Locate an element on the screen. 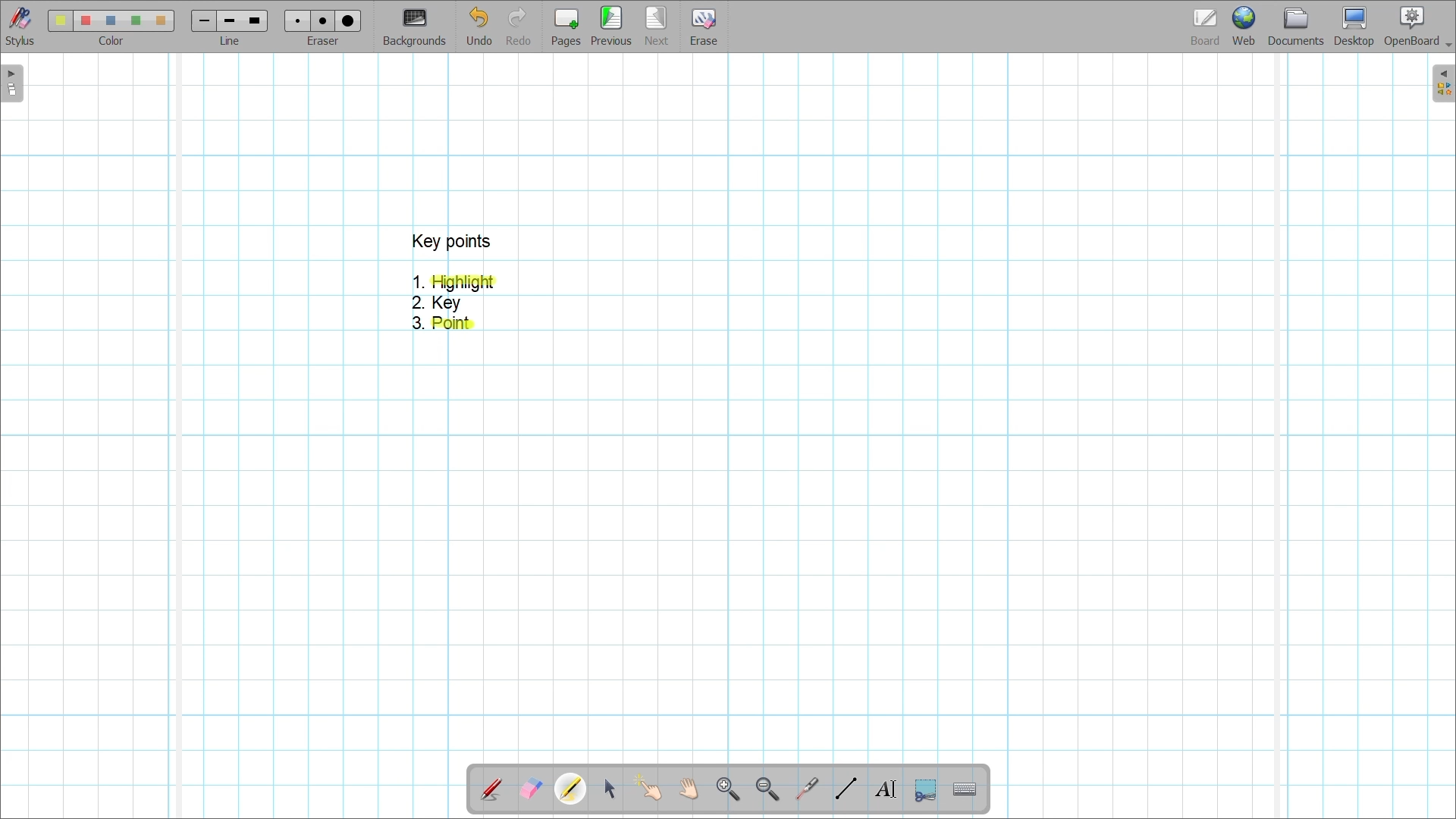  Stylus menu at the bottom of the page is located at coordinates (21, 27).